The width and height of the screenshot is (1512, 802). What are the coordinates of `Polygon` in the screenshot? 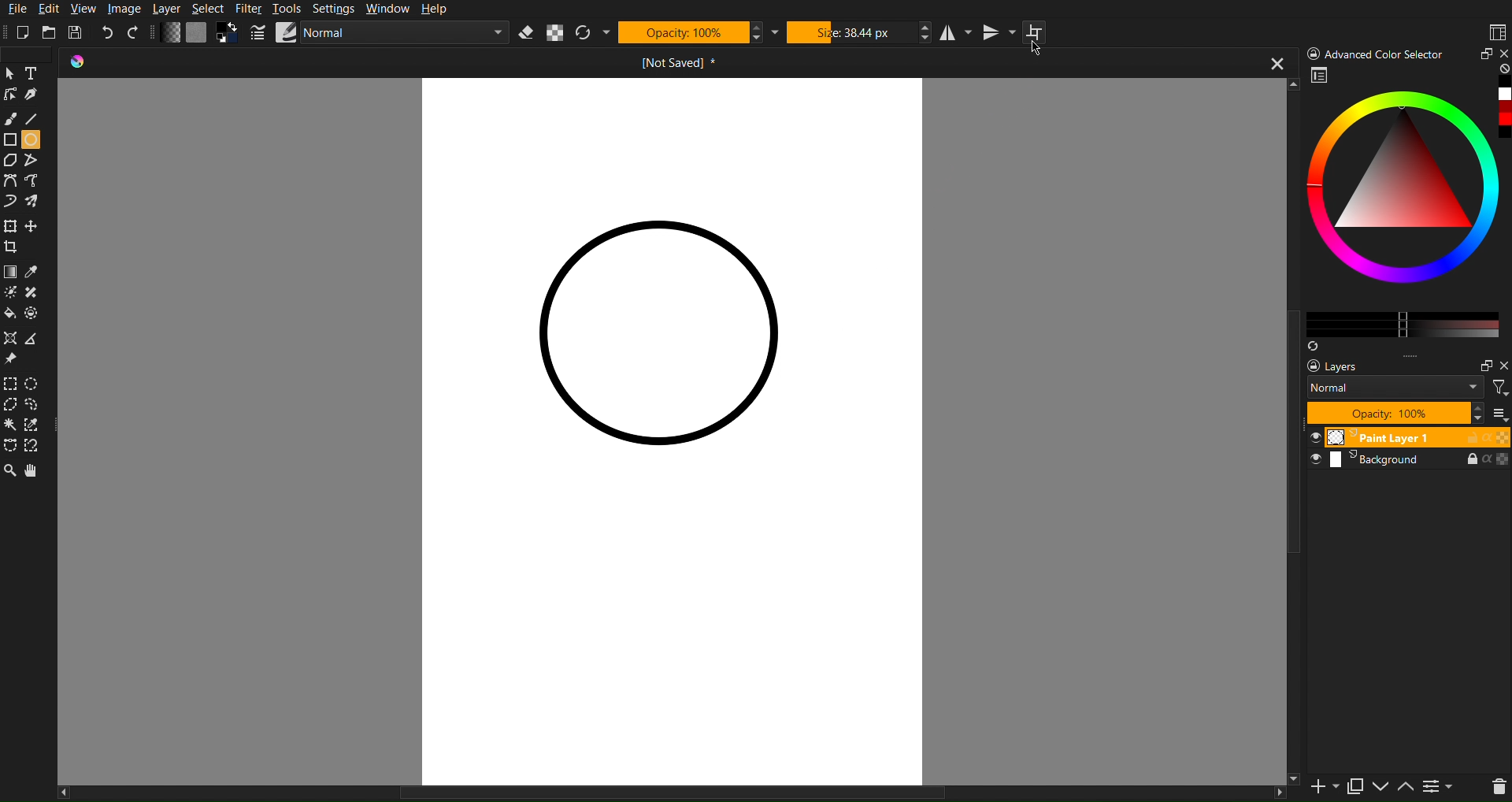 It's located at (34, 339).